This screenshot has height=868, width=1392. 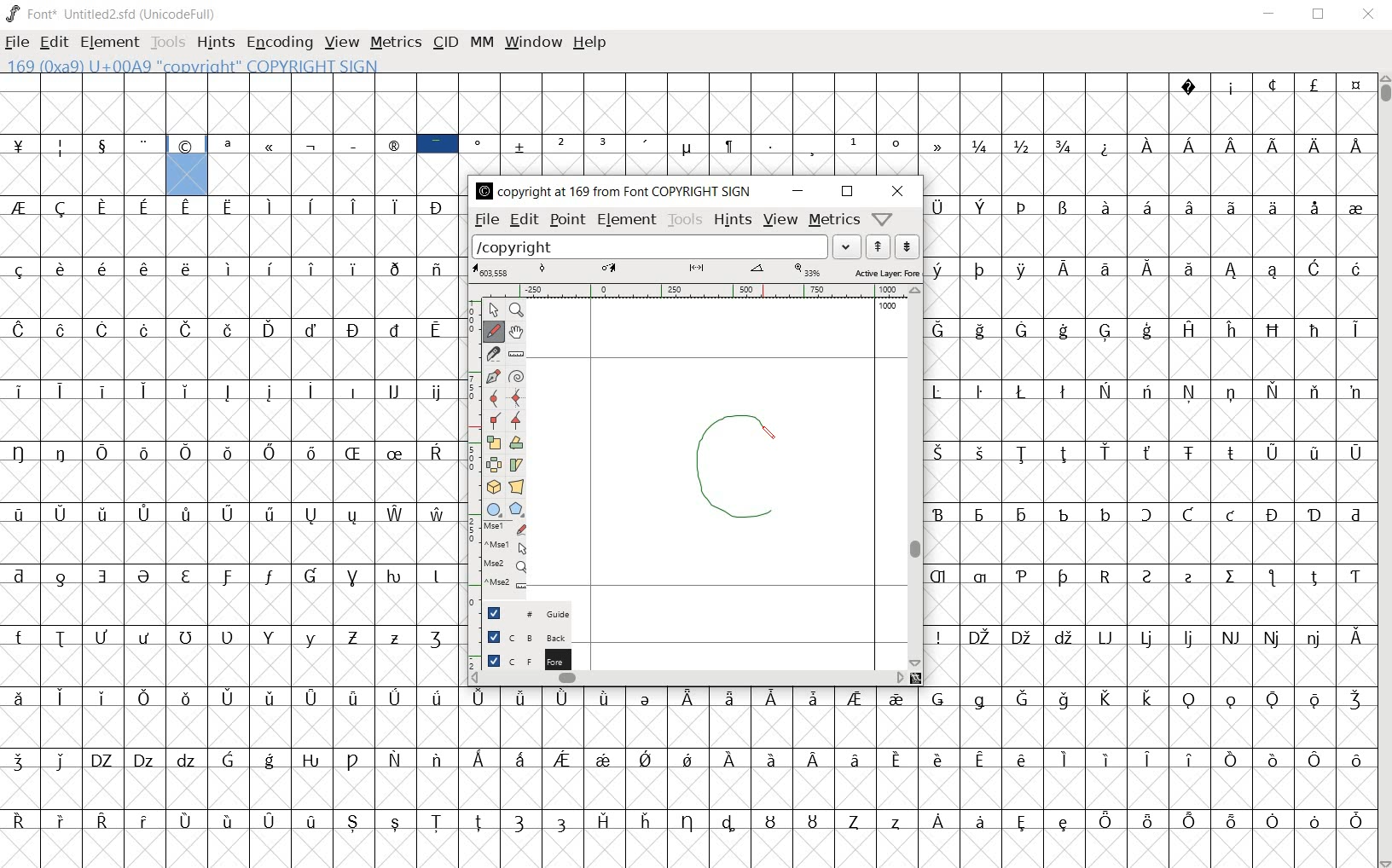 I want to click on mAGNIFY, so click(x=516, y=310).